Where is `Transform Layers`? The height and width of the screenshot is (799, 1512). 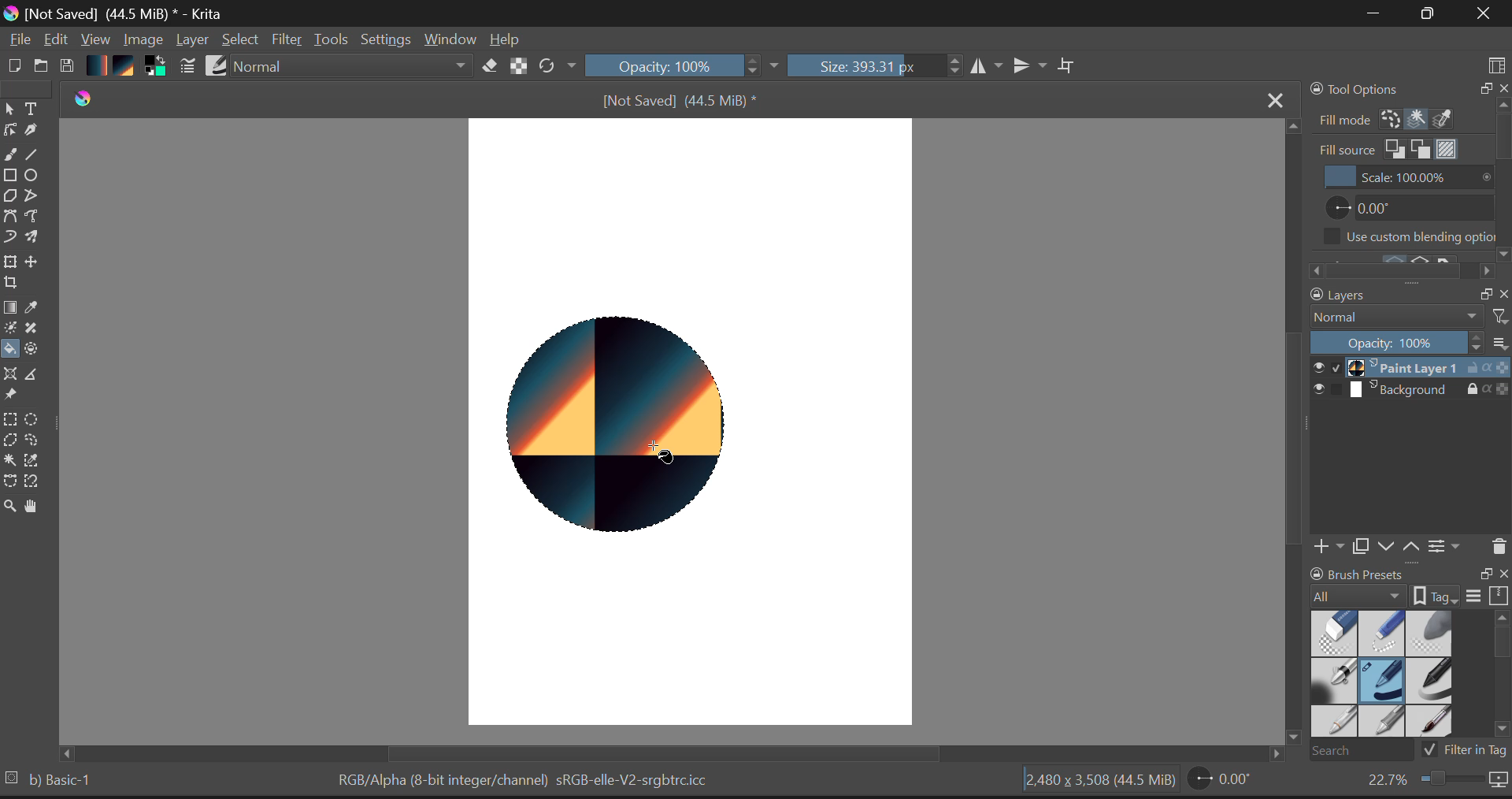
Transform Layers is located at coordinates (13, 262).